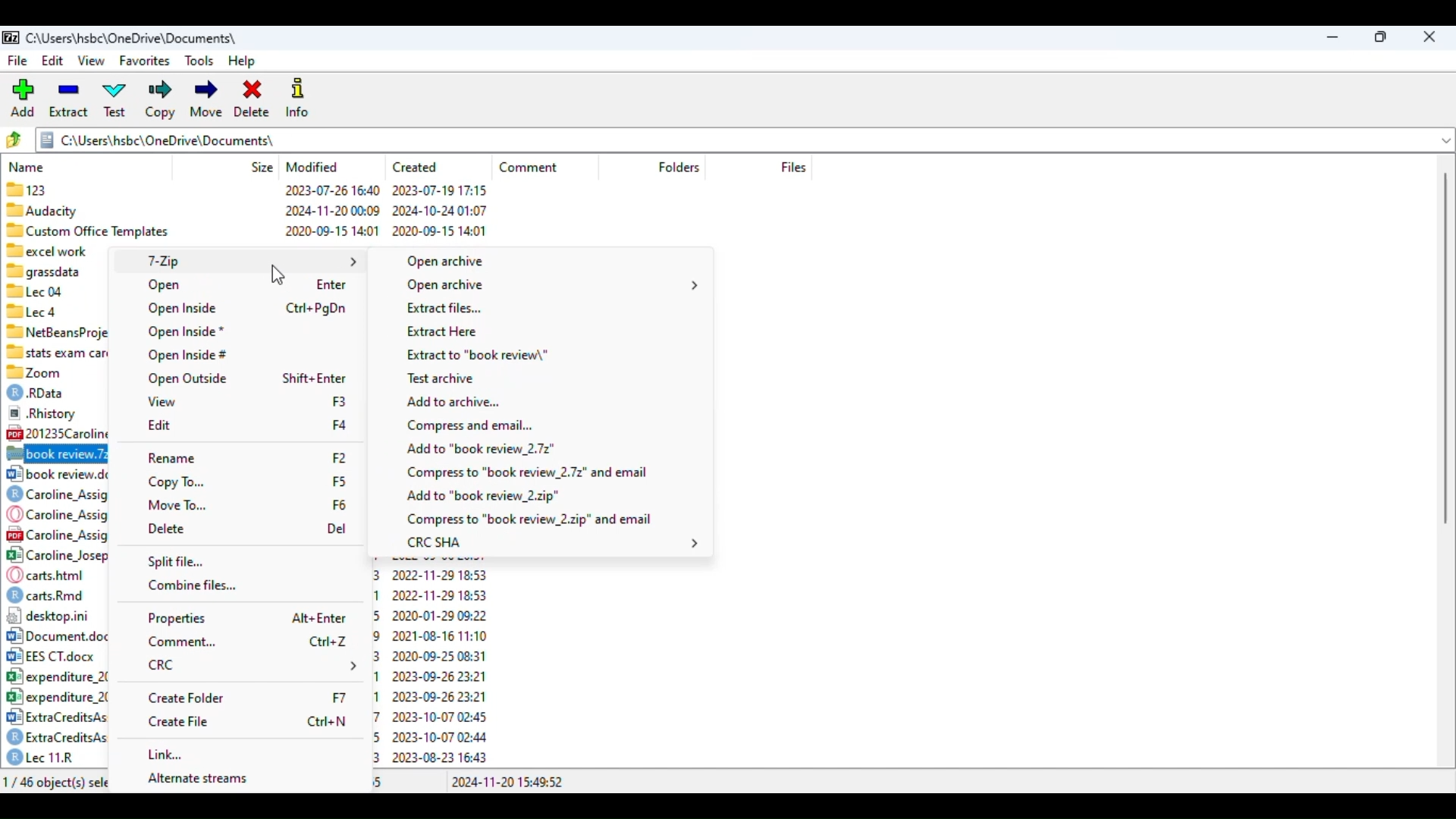 The width and height of the screenshot is (1456, 819). What do you see at coordinates (340, 482) in the screenshot?
I see `shortcut for copy to` at bounding box center [340, 482].